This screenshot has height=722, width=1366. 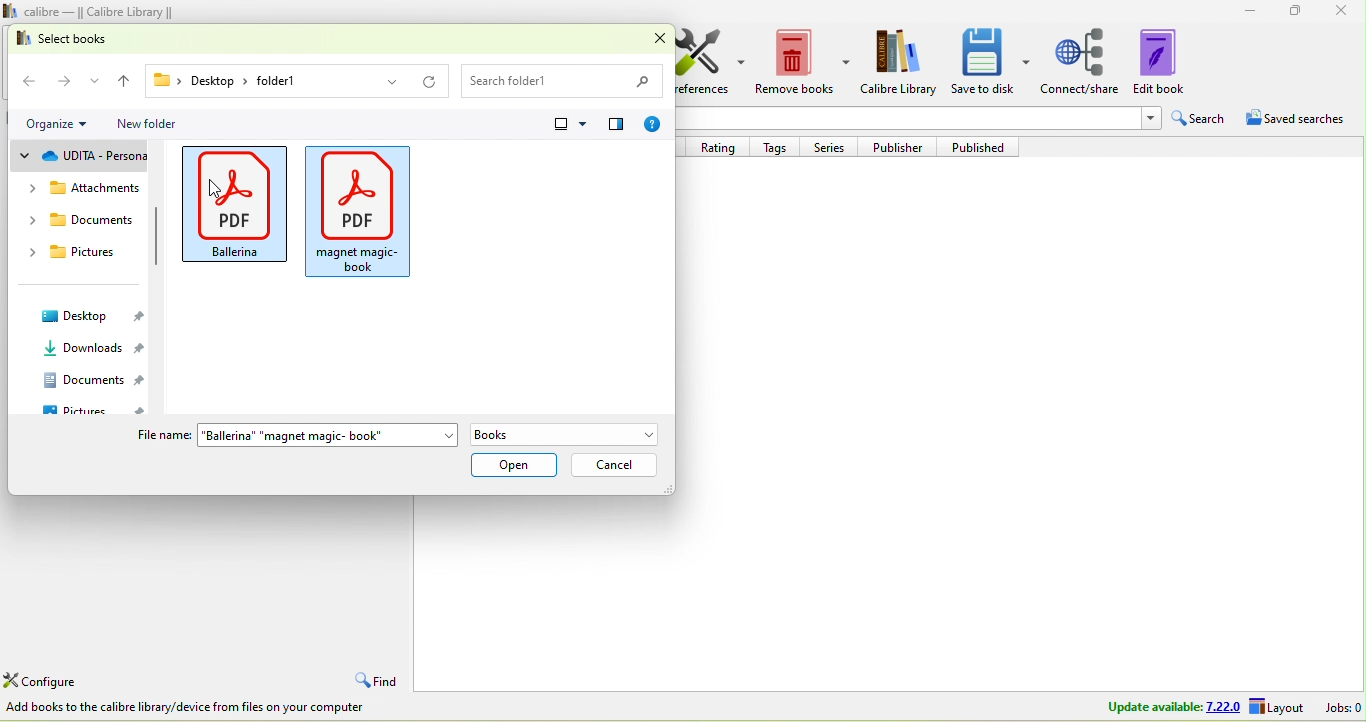 I want to click on connect /share, so click(x=1081, y=62).